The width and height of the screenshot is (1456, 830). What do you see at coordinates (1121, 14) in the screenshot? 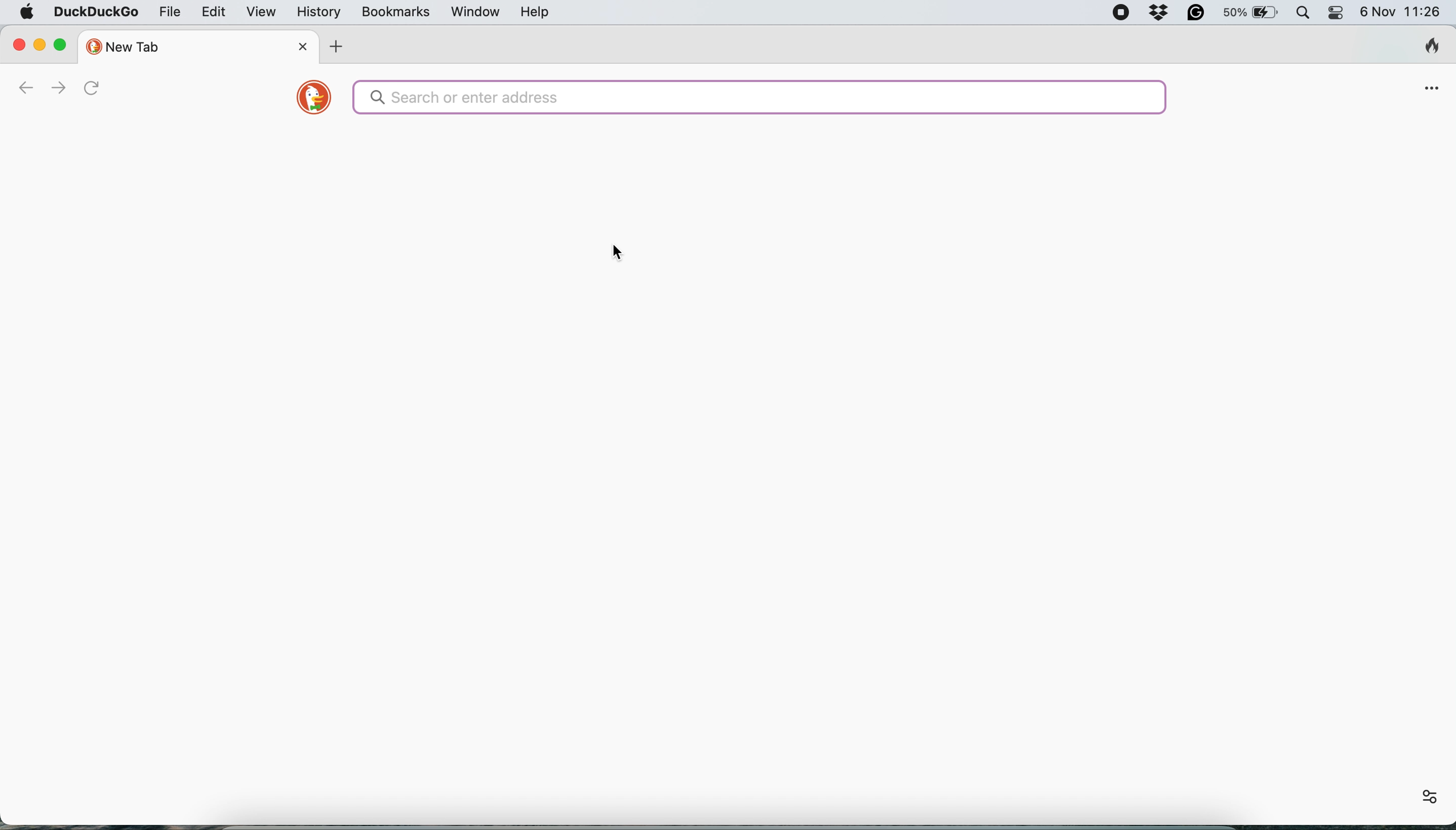
I see `screen recorder` at bounding box center [1121, 14].